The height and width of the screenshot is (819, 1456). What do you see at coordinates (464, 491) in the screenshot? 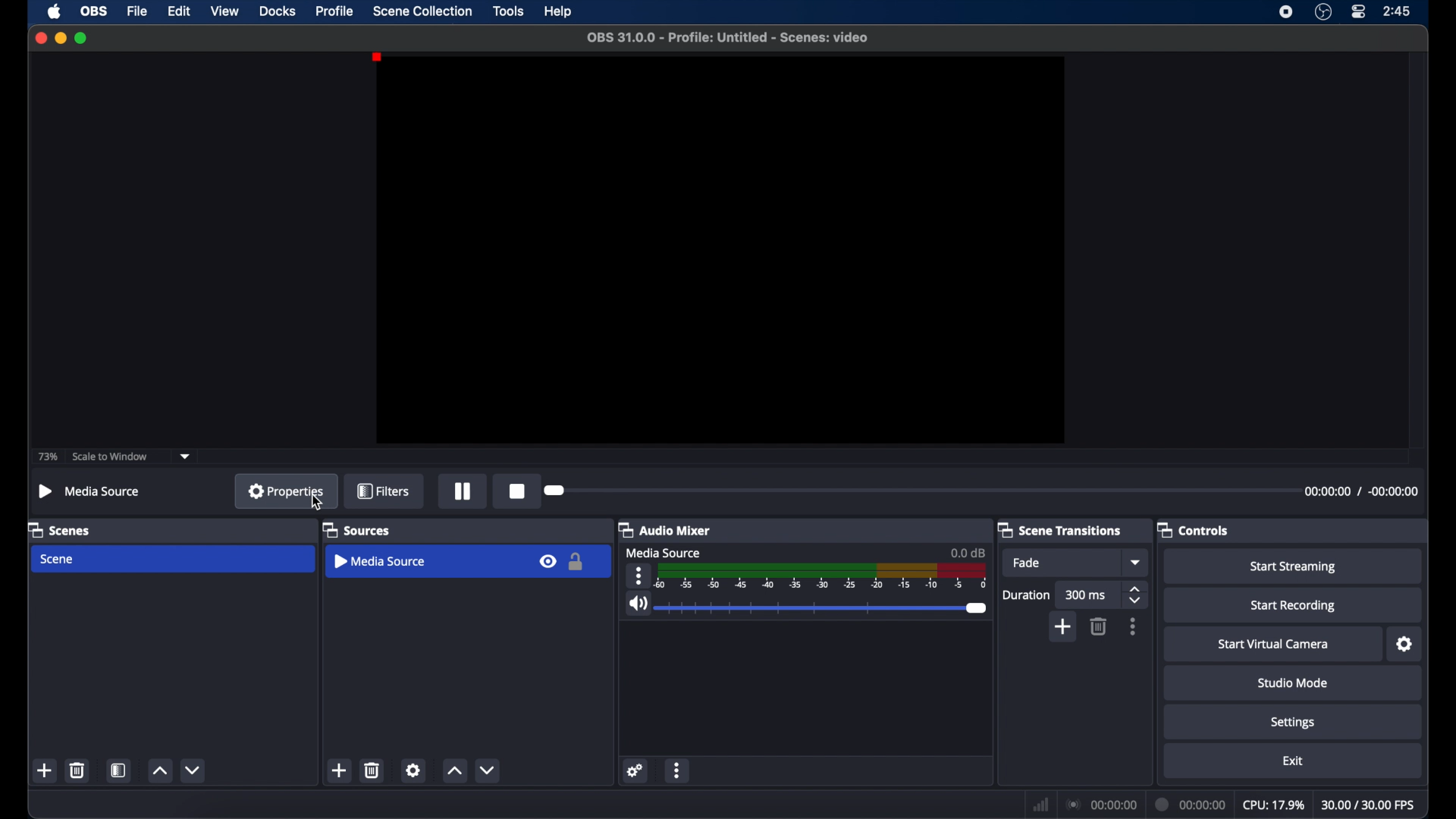
I see `pause button` at bounding box center [464, 491].